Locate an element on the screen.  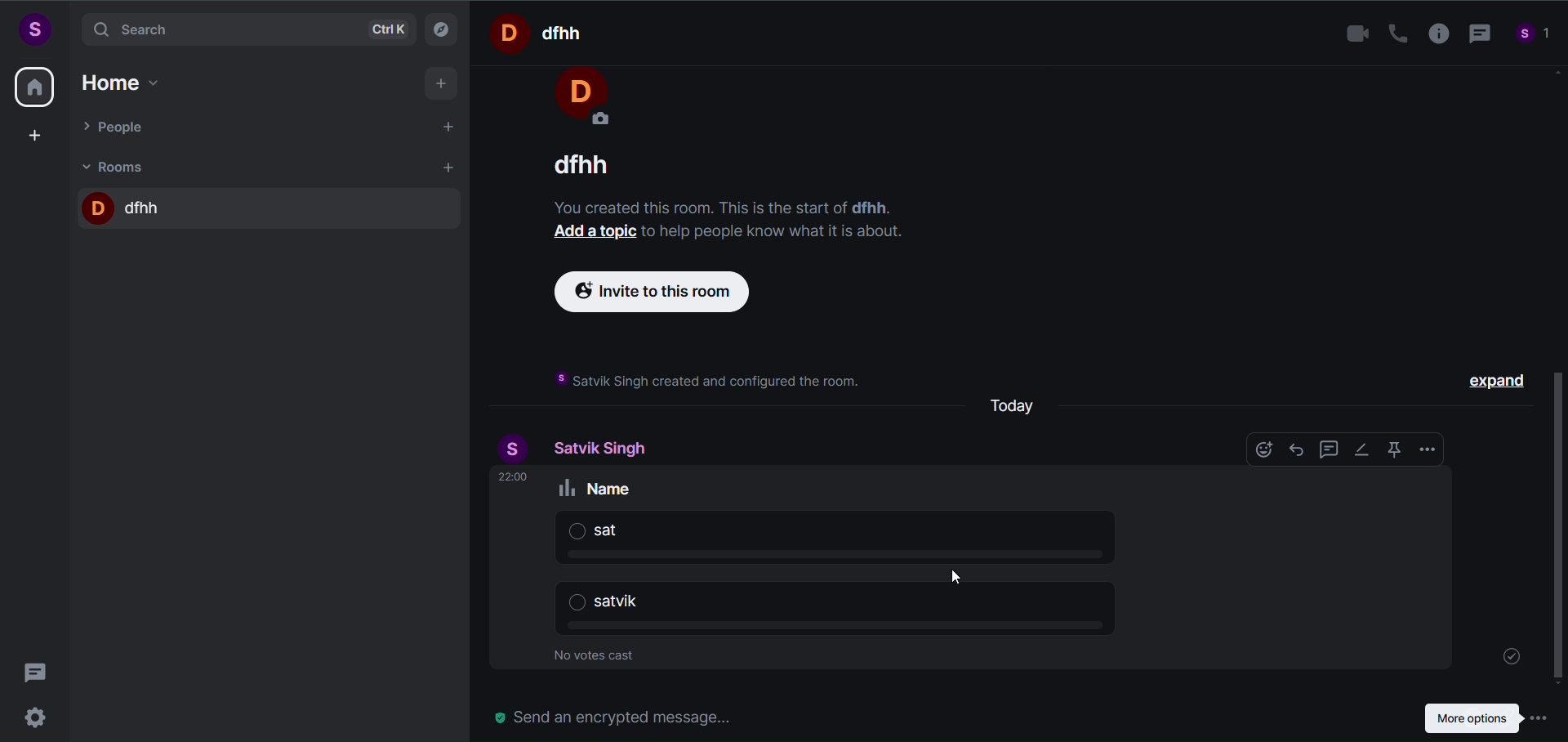
satvik singh is located at coordinates (604, 448).